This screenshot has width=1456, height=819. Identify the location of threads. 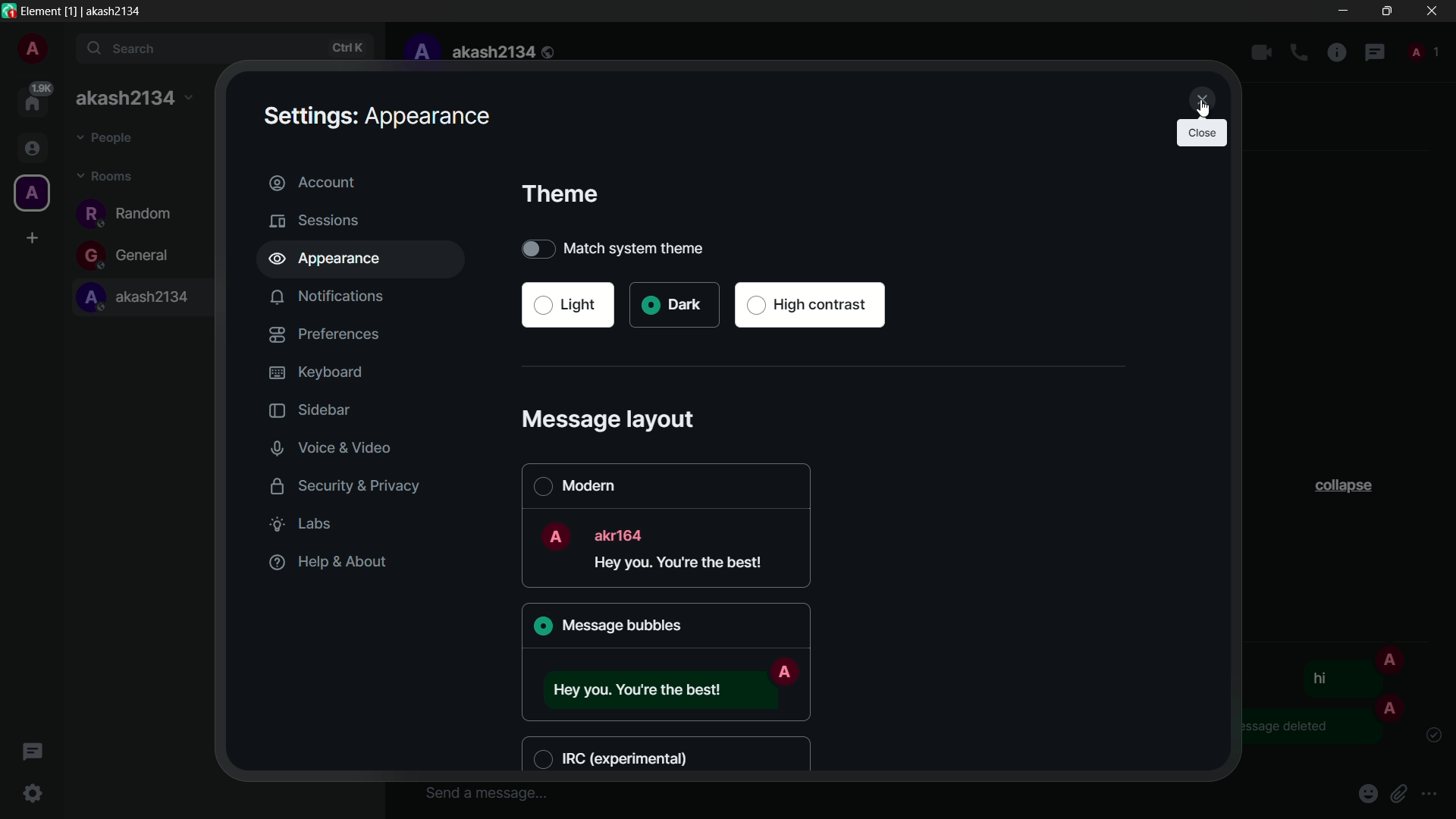
(1375, 54).